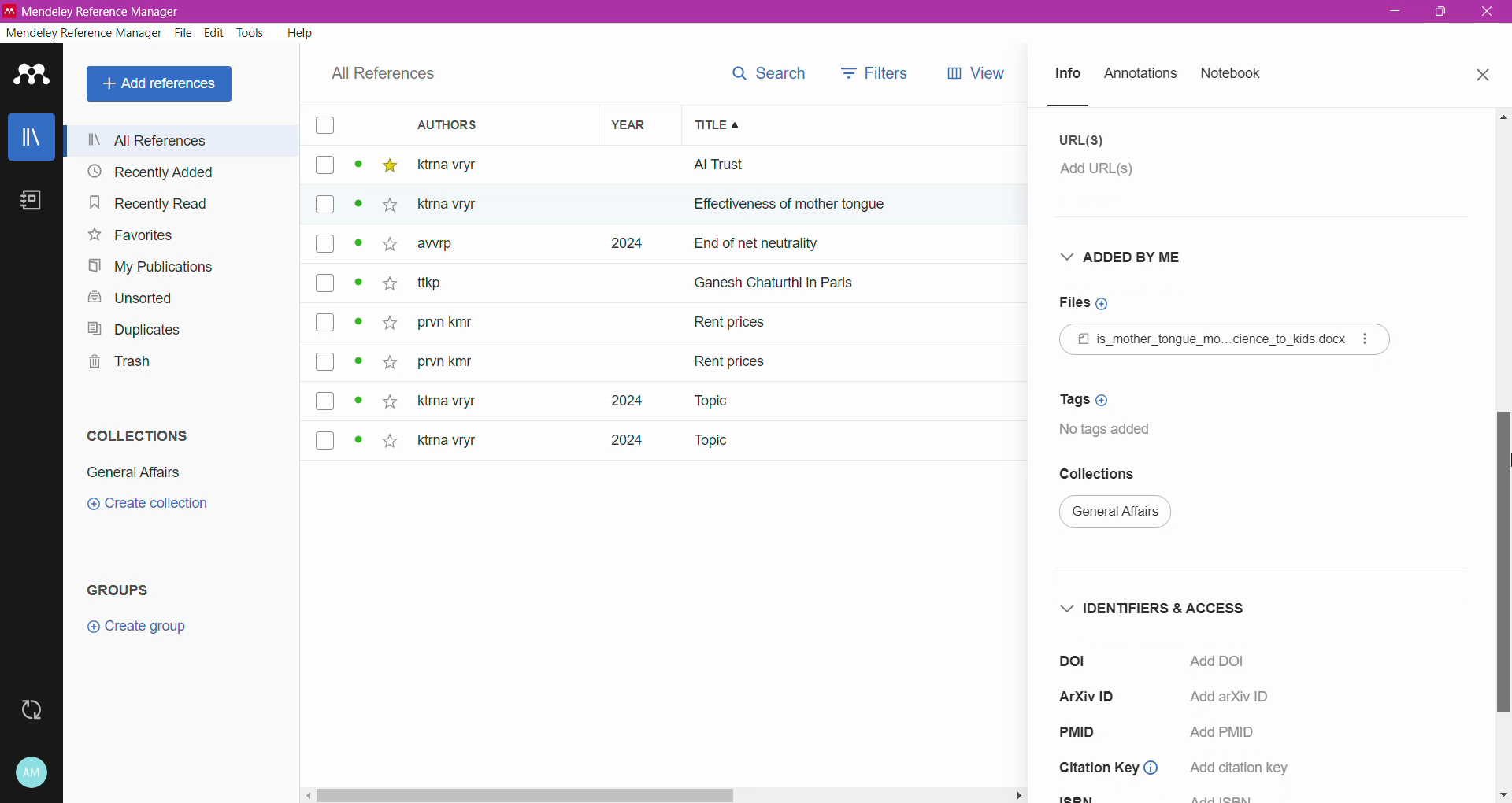 This screenshot has width=1512, height=803. What do you see at coordinates (386, 208) in the screenshot?
I see `star` at bounding box center [386, 208].